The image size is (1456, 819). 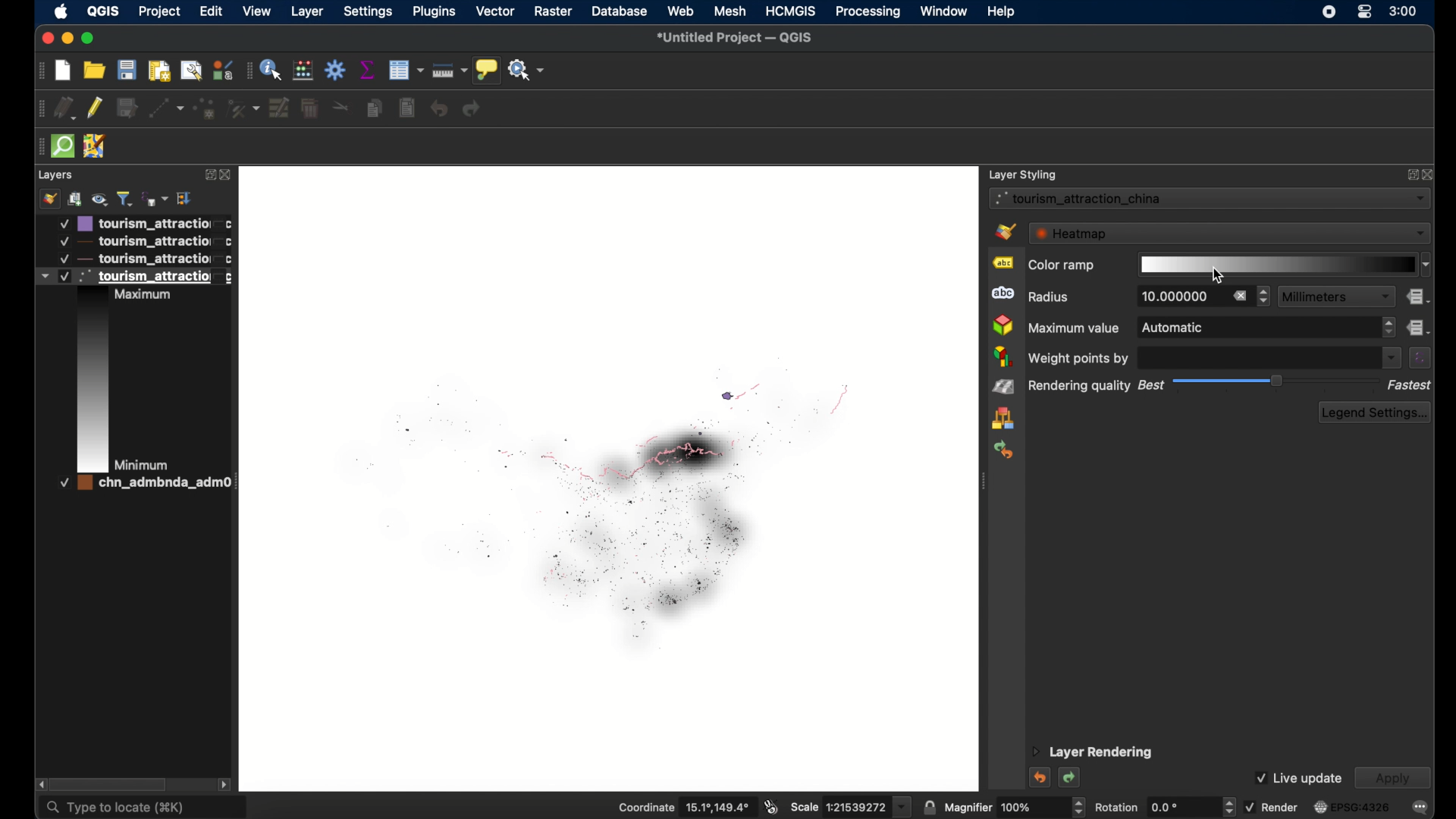 I want to click on QGIS, so click(x=102, y=11).